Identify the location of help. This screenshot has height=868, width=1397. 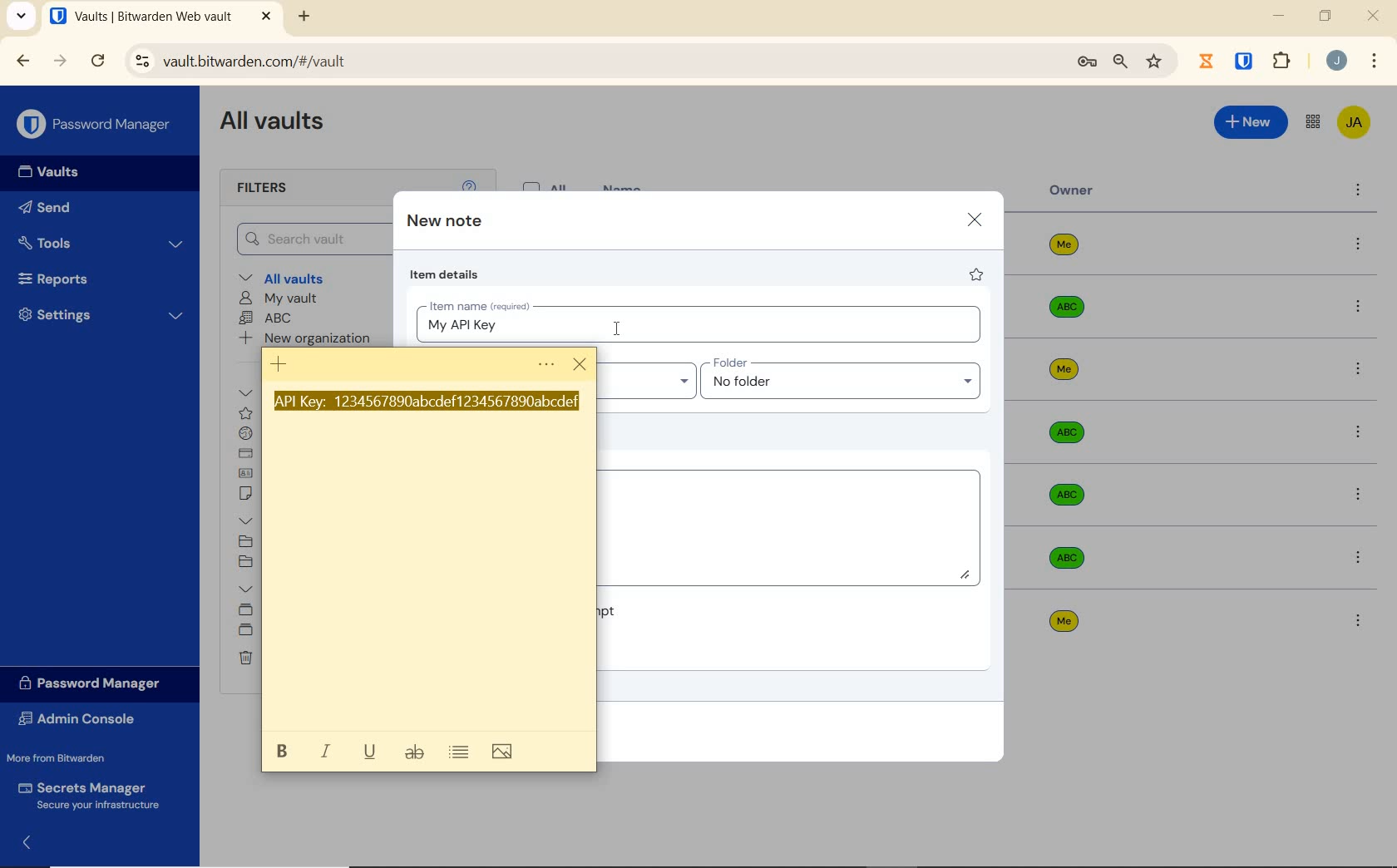
(469, 184).